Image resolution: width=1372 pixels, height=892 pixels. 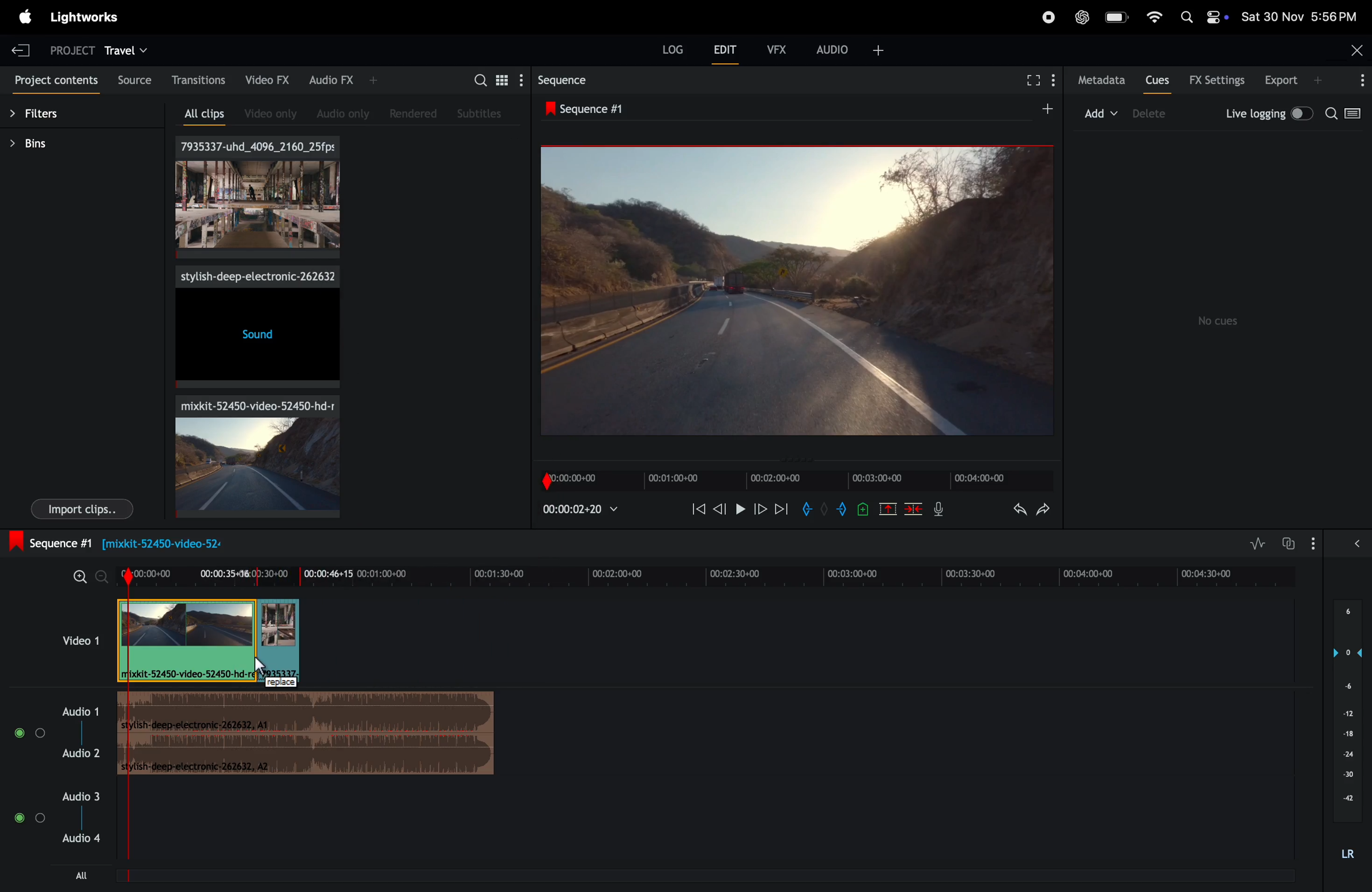 What do you see at coordinates (863, 509) in the screenshot?
I see `add cue to current poition` at bounding box center [863, 509].